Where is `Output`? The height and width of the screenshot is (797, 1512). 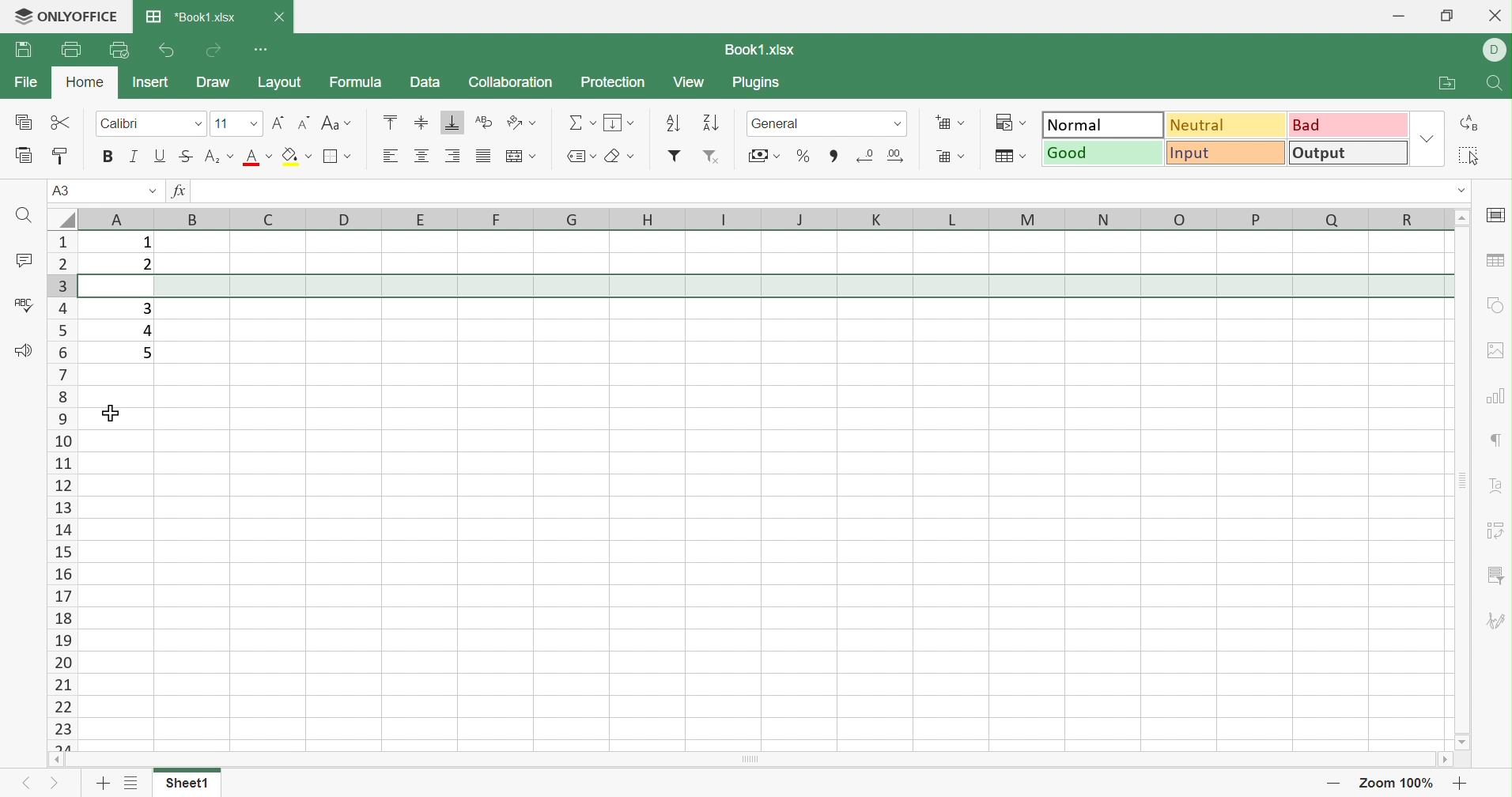
Output is located at coordinates (1348, 153).